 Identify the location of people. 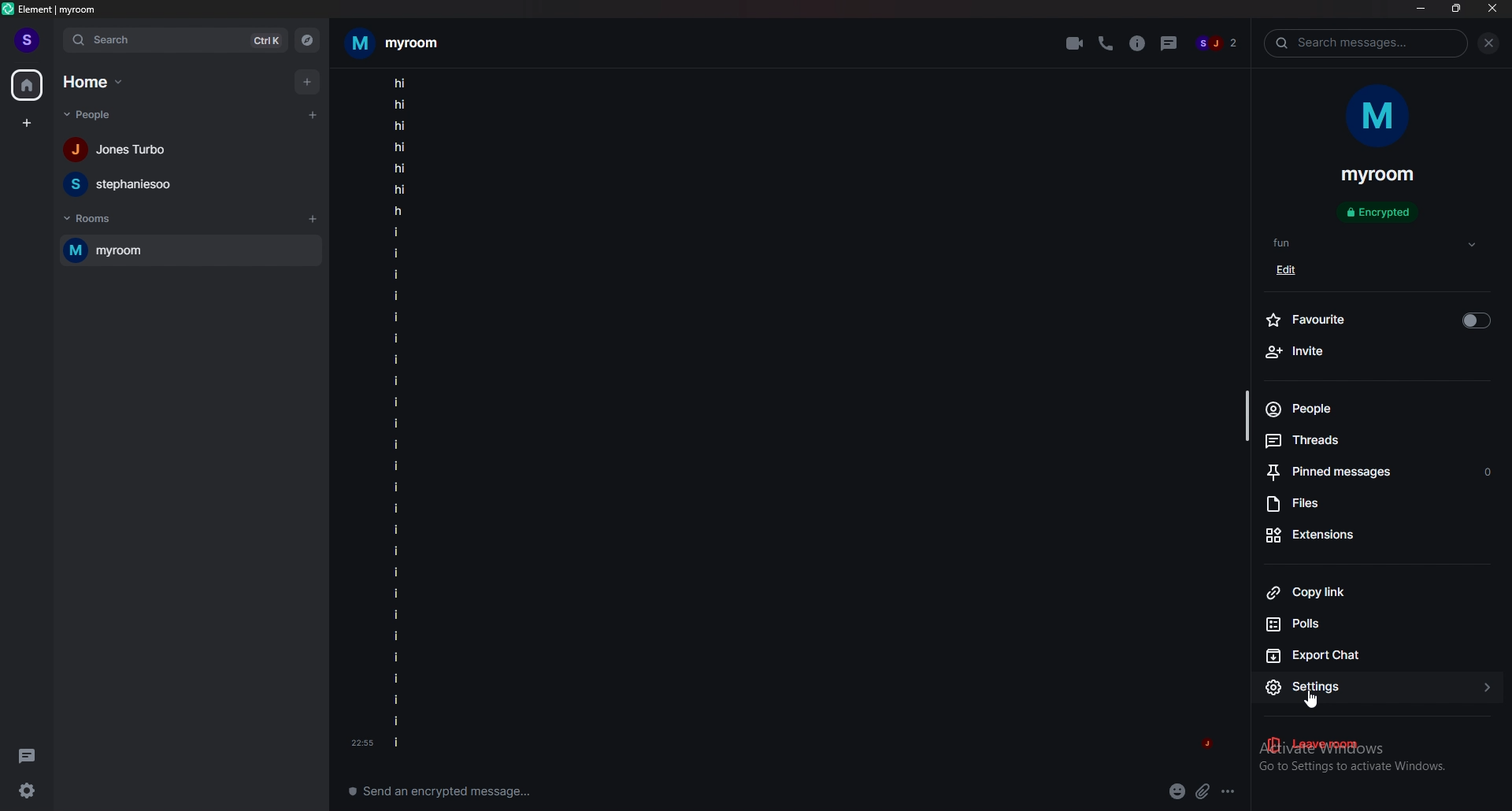
(122, 183).